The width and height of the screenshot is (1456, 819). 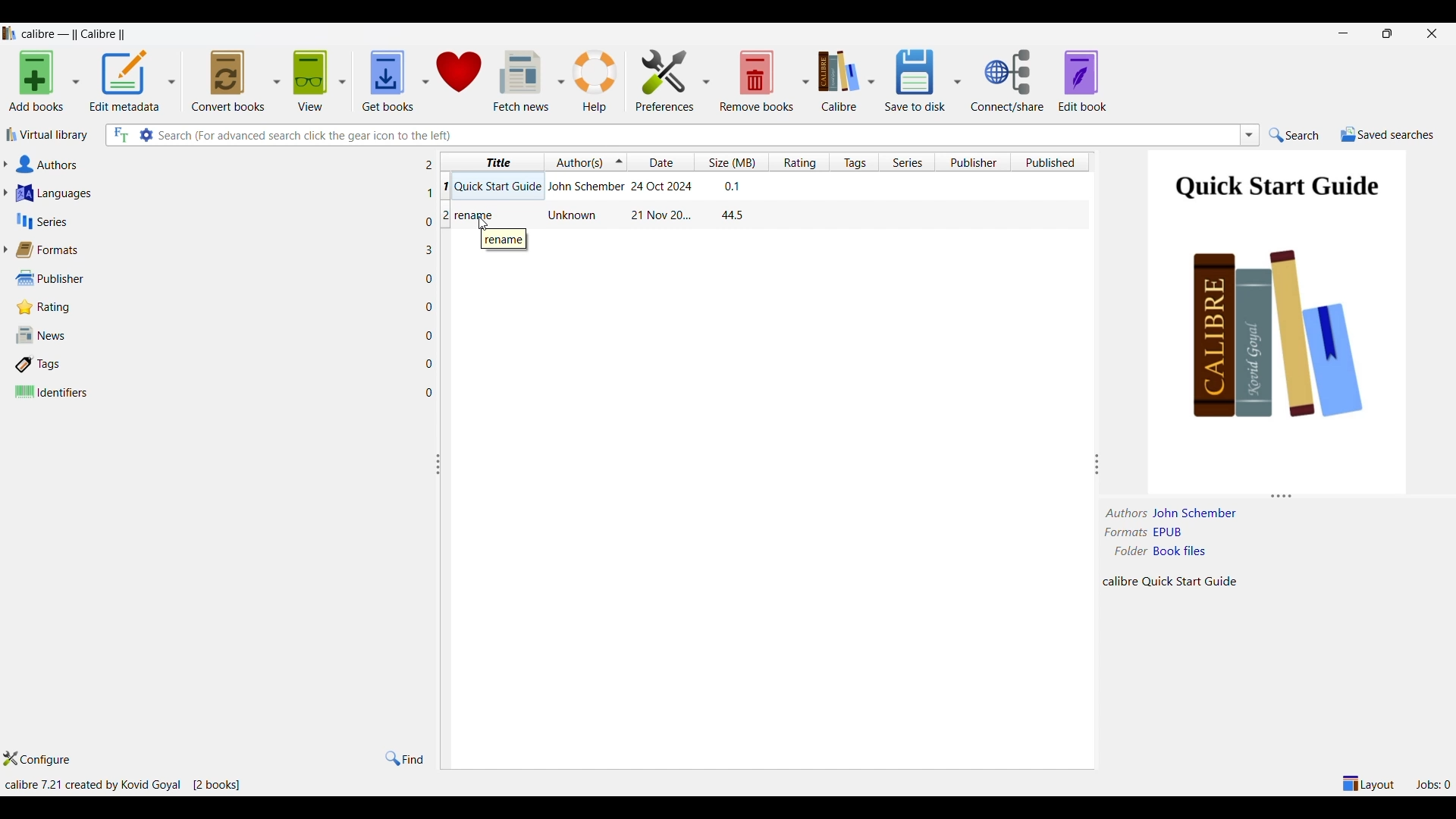 I want to click on , so click(x=170, y=80).